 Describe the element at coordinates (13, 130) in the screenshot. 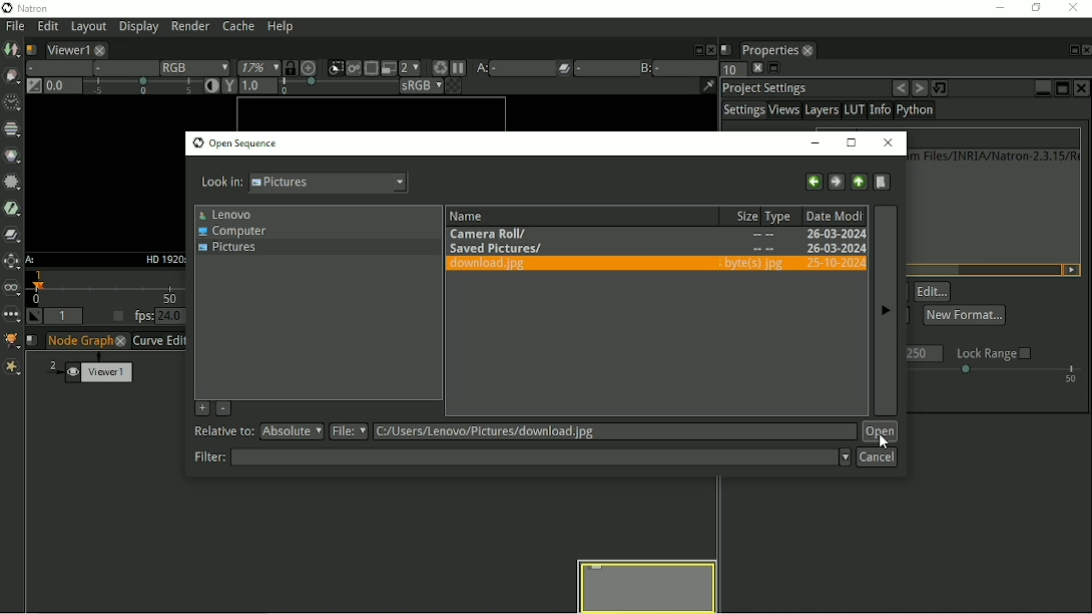

I see `Channel` at that location.